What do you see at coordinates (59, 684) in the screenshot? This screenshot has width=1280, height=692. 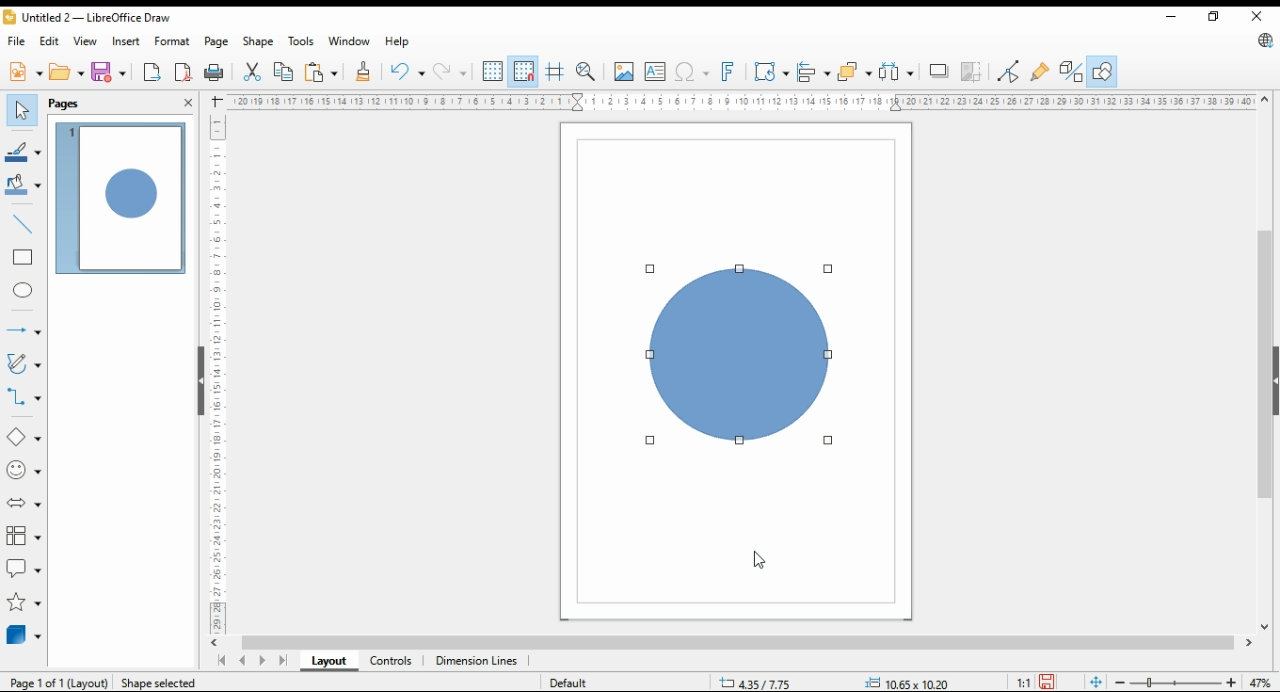 I see `Page 1 of 1 (layout)` at bounding box center [59, 684].